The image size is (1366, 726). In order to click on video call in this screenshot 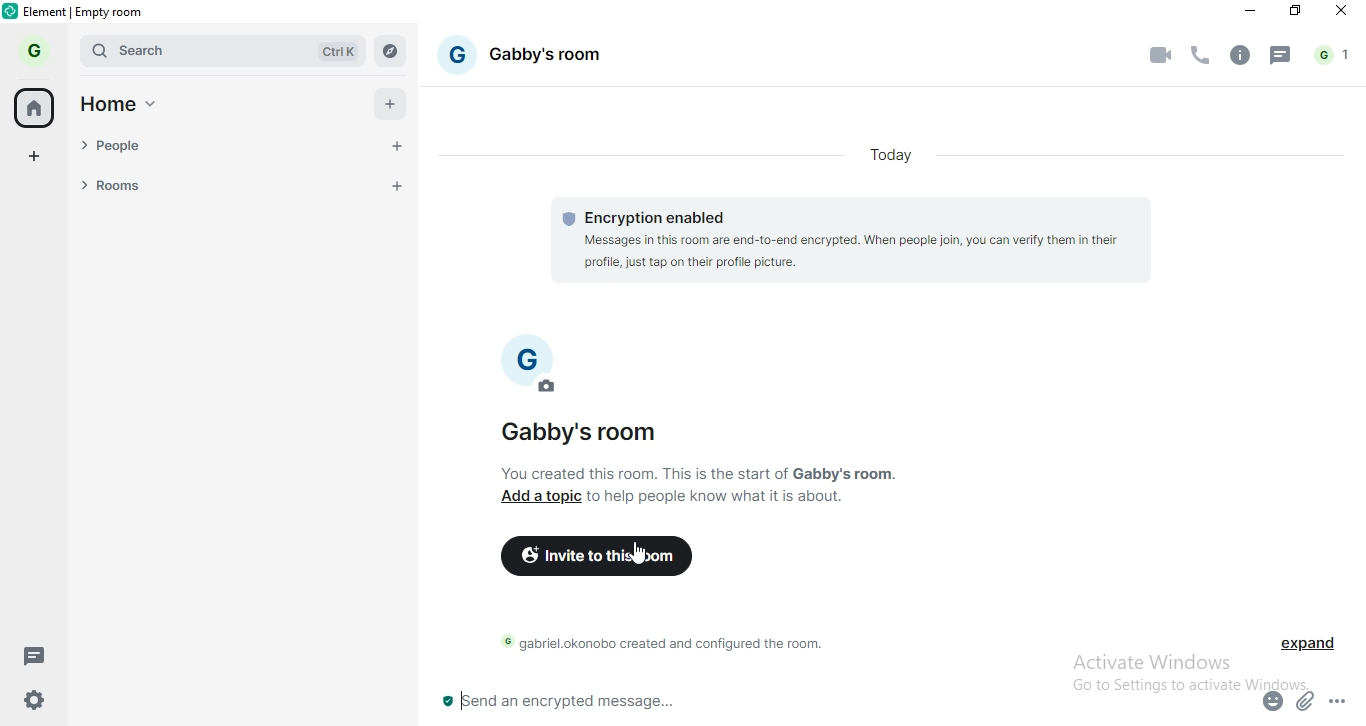, I will do `click(1157, 57)`.